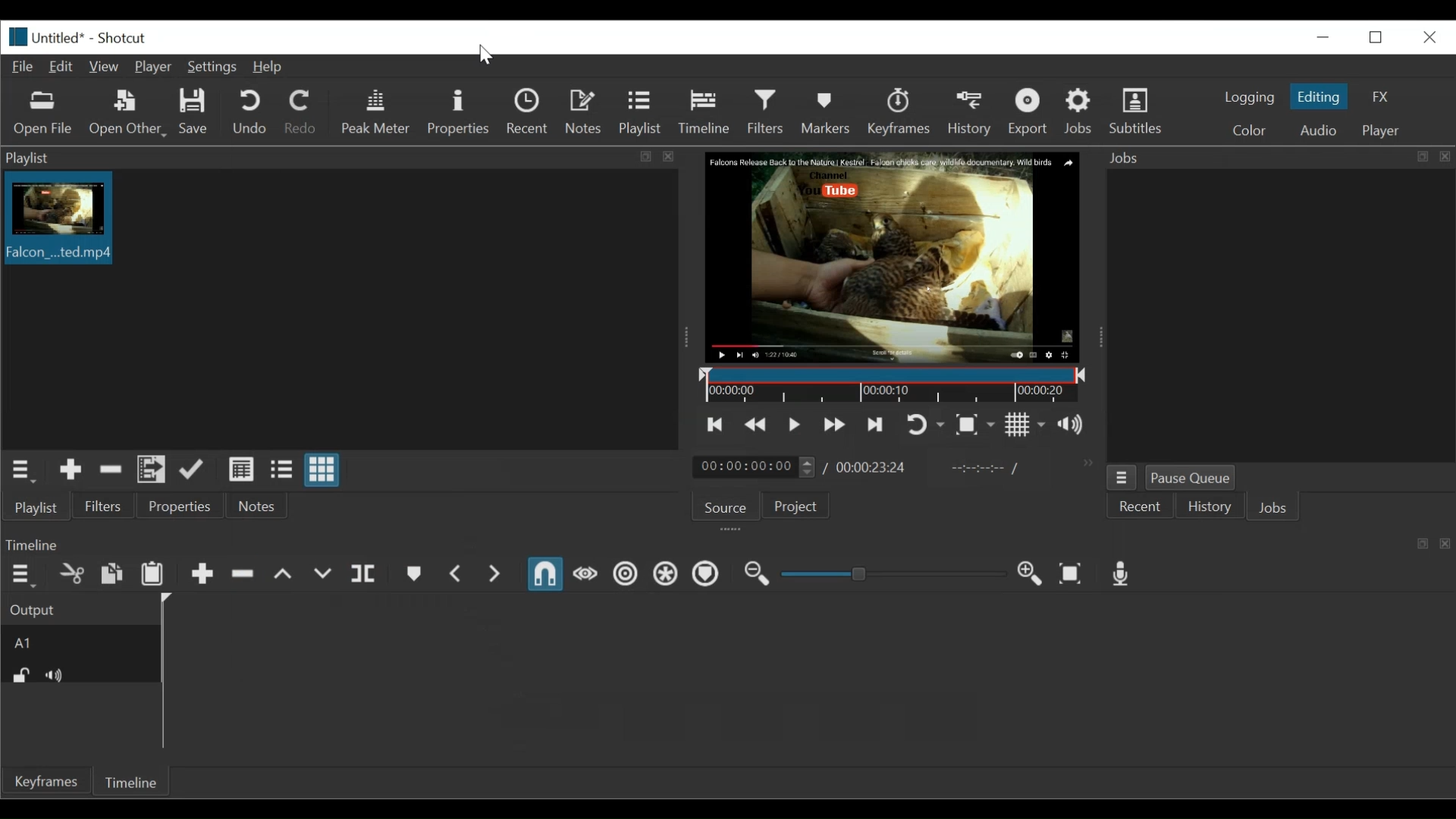  I want to click on Pause Queue, so click(1191, 478).